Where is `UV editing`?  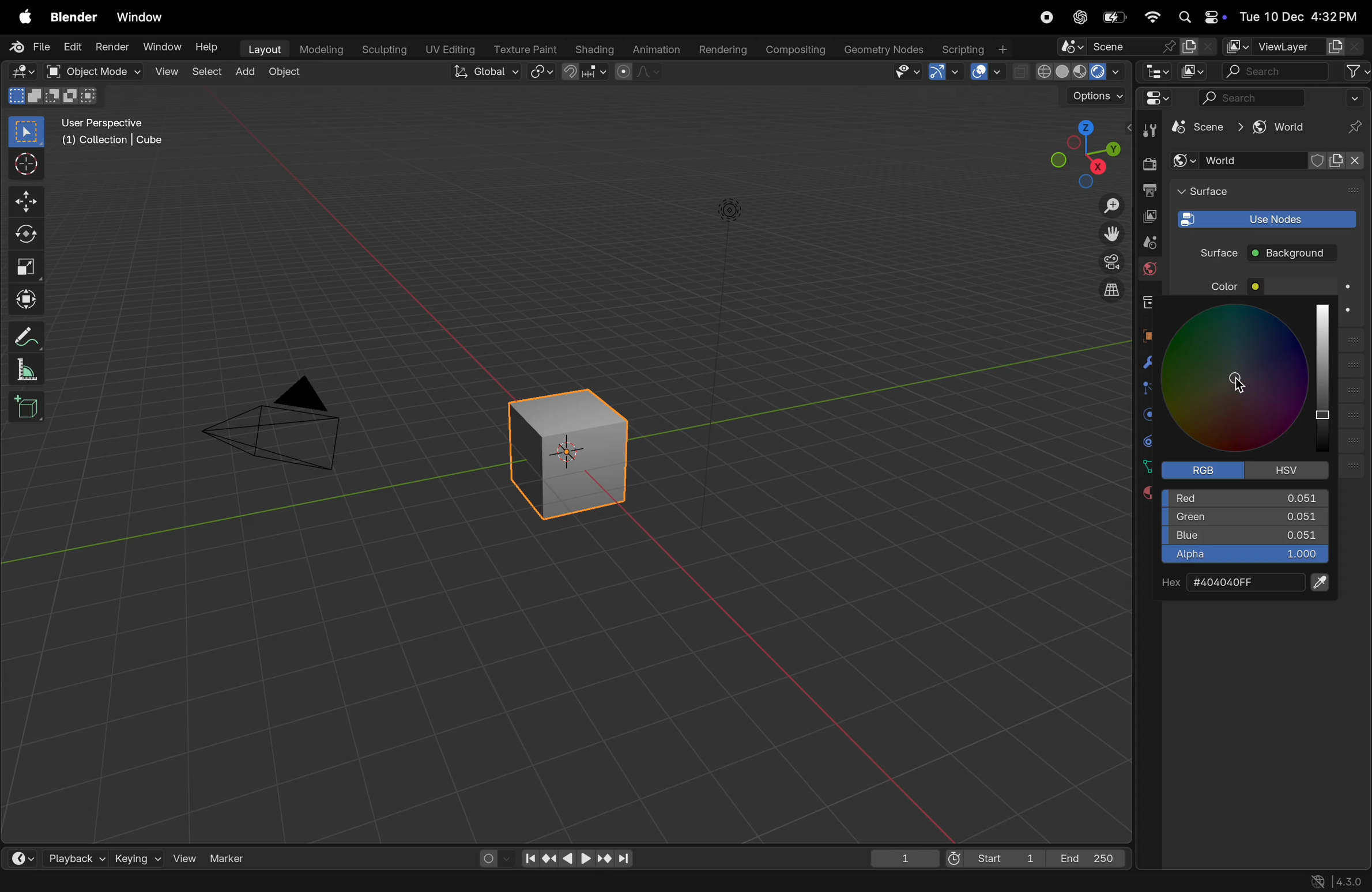
UV editing is located at coordinates (447, 50).